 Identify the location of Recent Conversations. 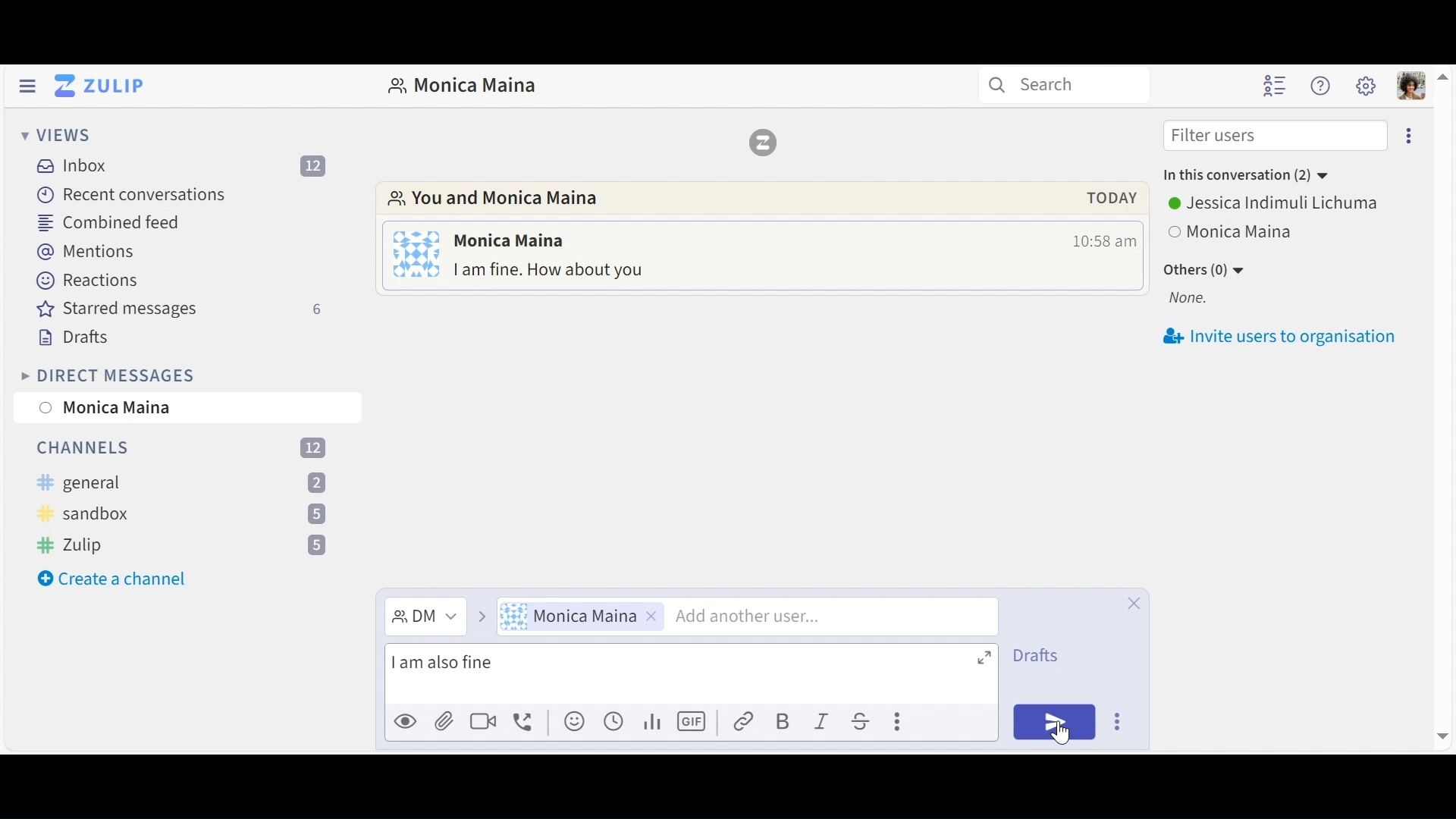
(135, 196).